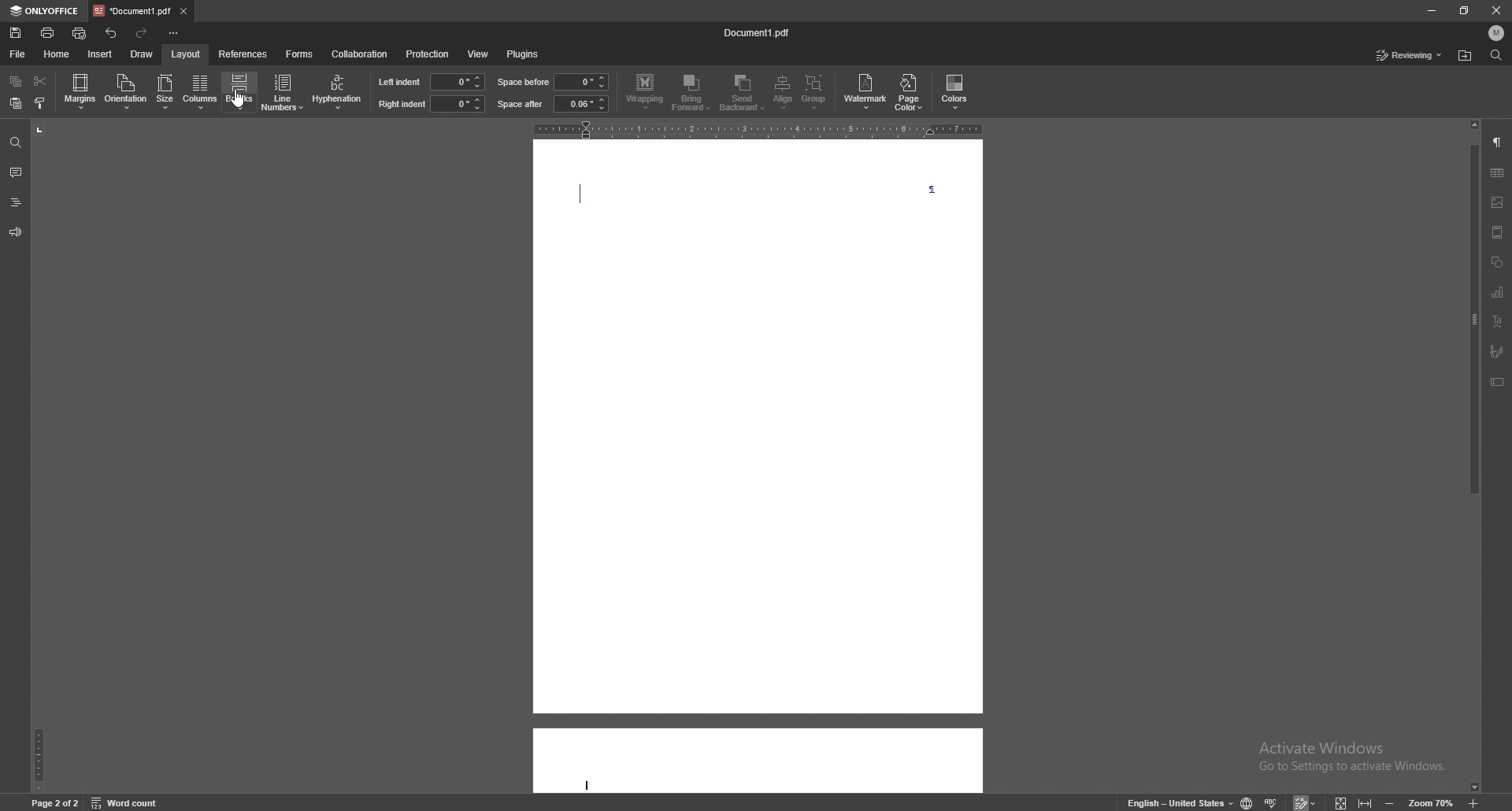 The width and height of the screenshot is (1512, 811). I want to click on page 1 of 1, so click(50, 802).